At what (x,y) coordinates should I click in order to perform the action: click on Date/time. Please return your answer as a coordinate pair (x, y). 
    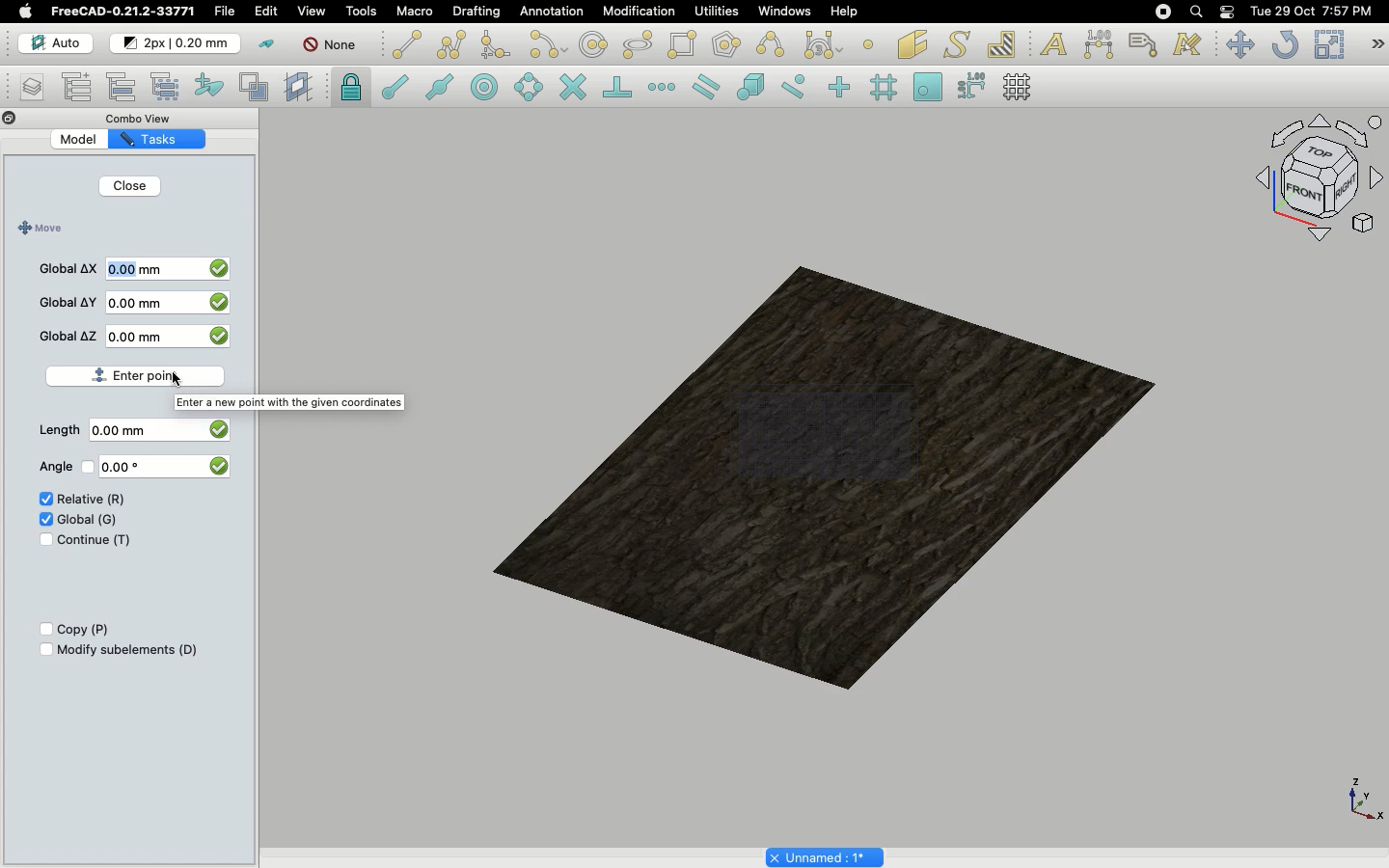
    Looking at the image, I should click on (1311, 10).